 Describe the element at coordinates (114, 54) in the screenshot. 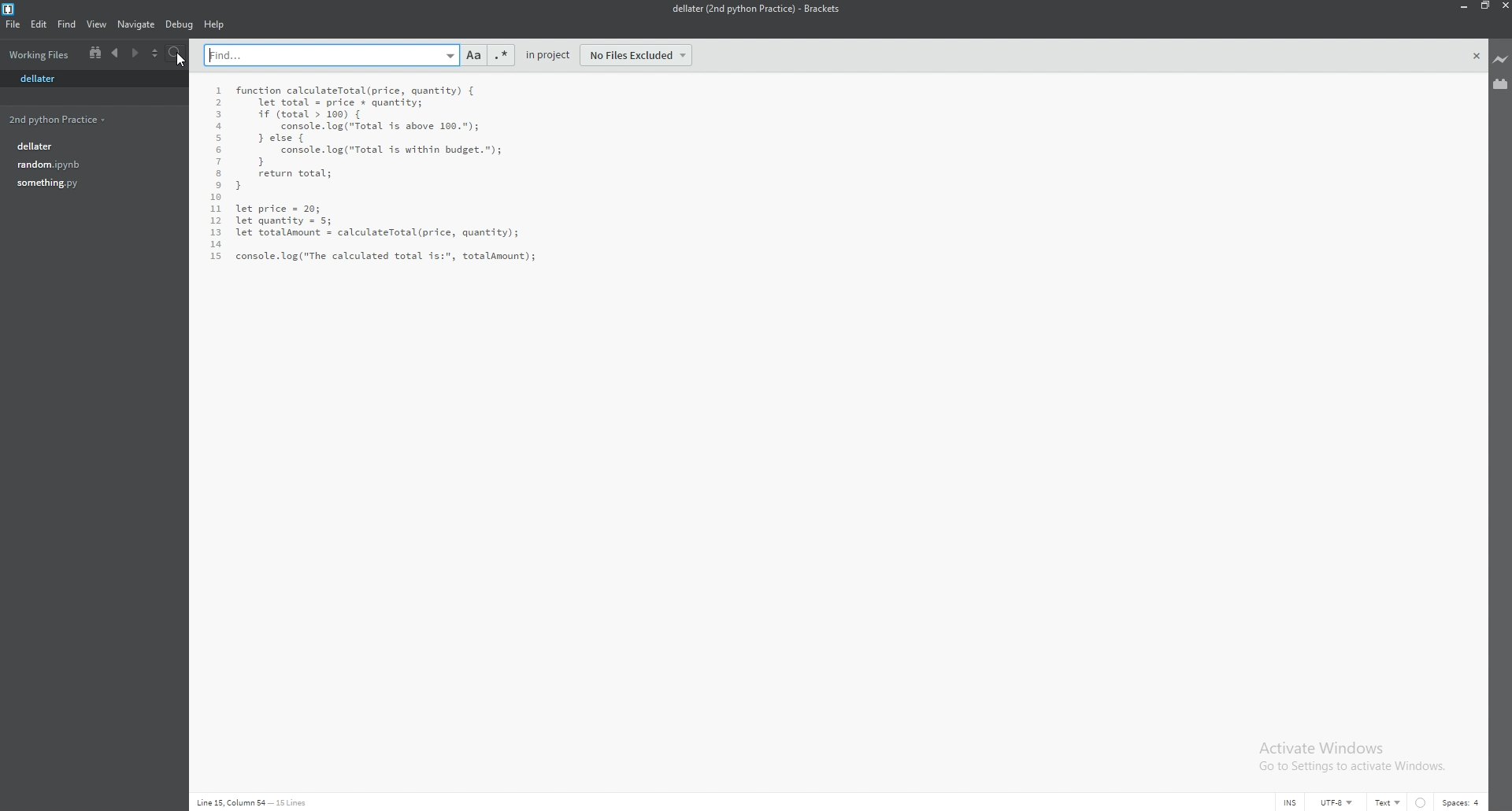

I see `previous` at that location.